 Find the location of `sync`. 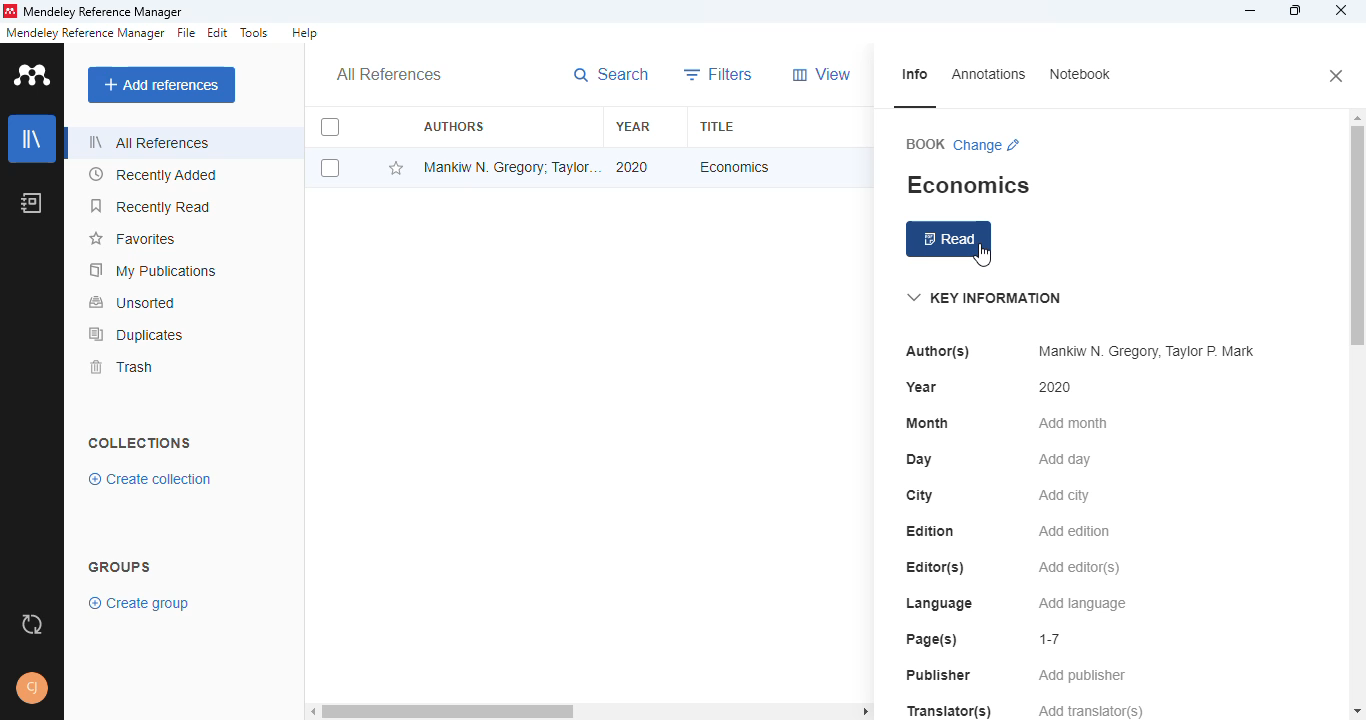

sync is located at coordinates (32, 626).